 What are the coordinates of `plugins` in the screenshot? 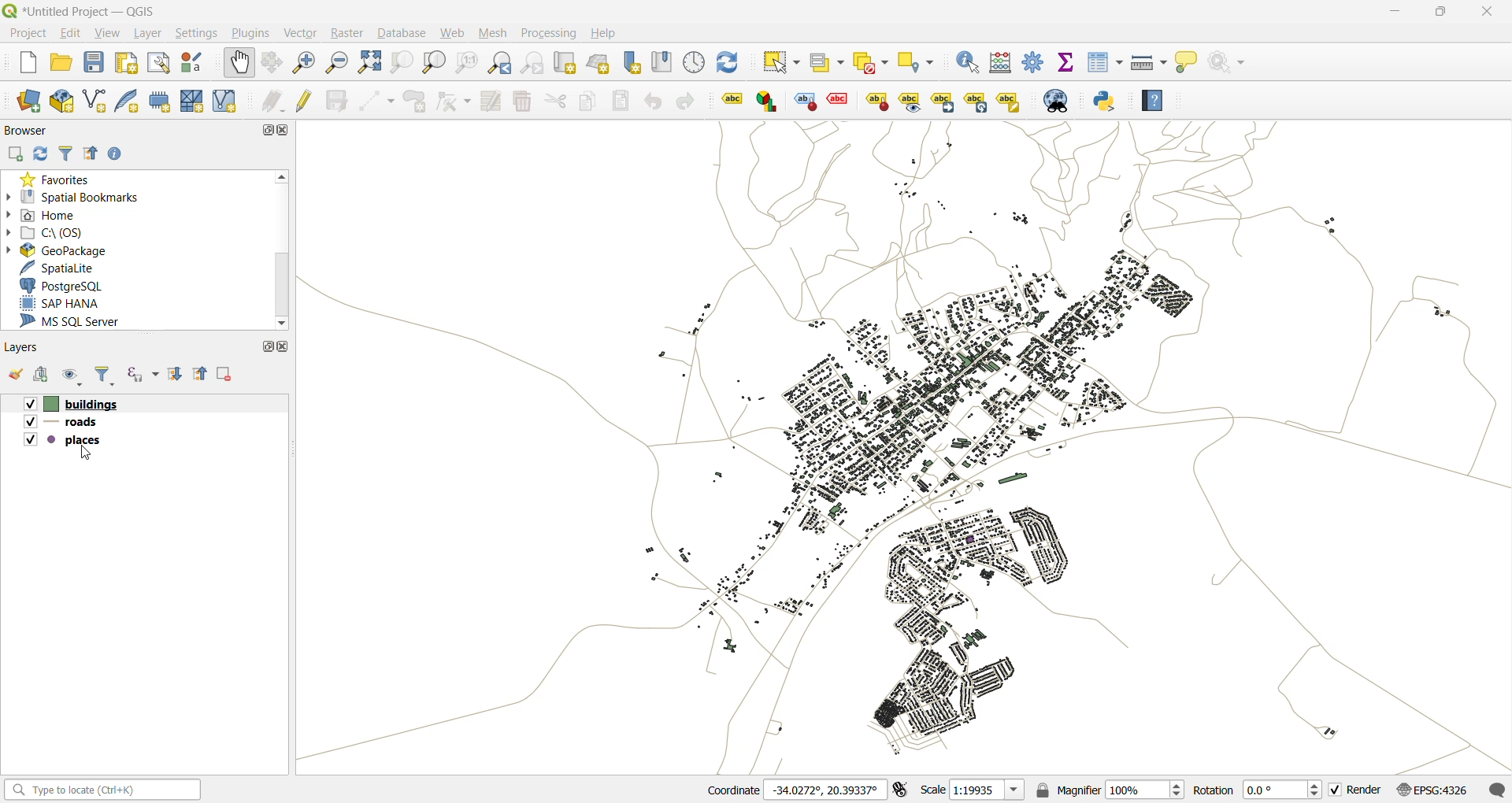 It's located at (254, 35).